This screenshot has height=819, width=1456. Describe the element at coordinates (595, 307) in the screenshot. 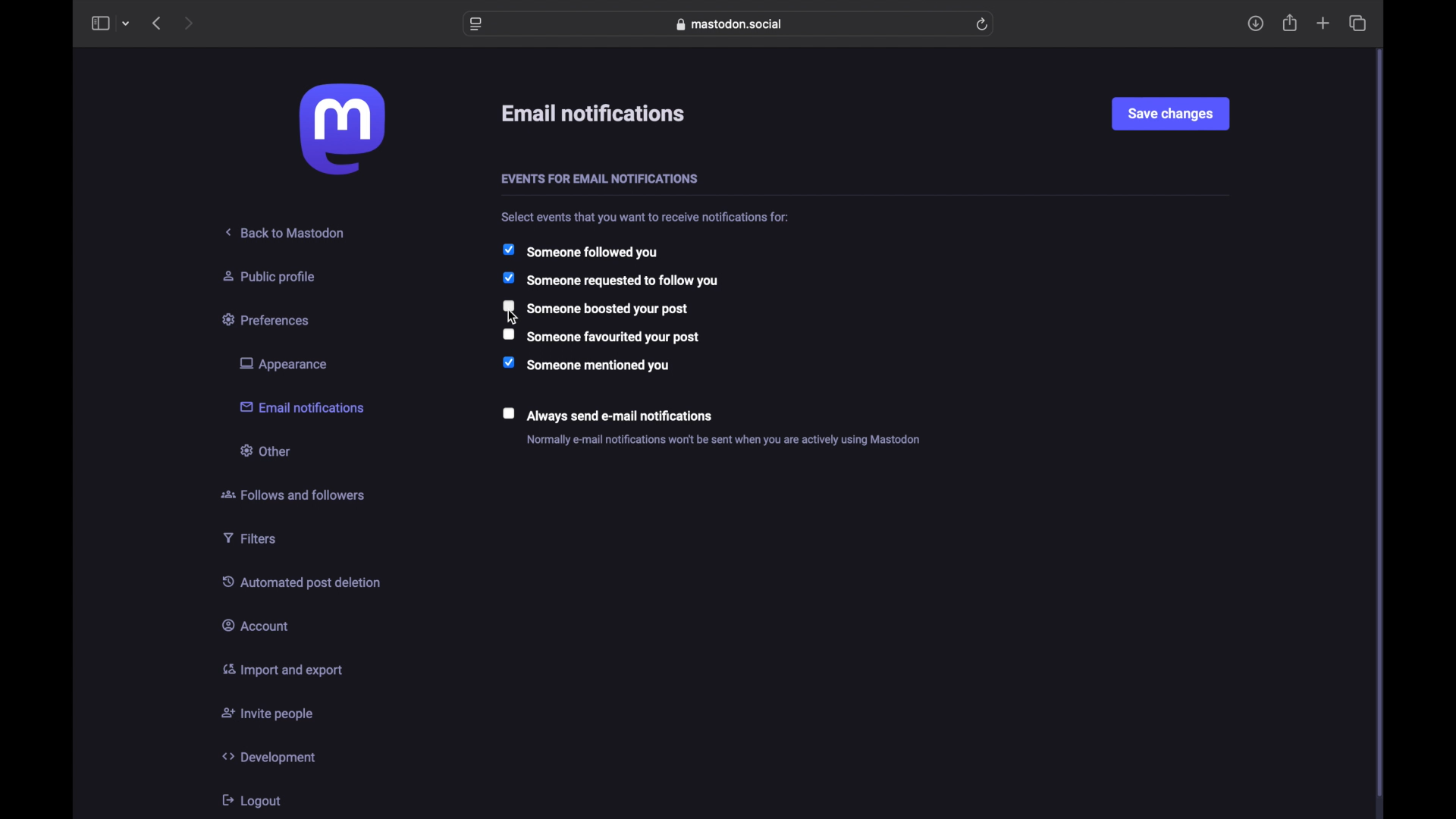

I see `checkbox` at that location.